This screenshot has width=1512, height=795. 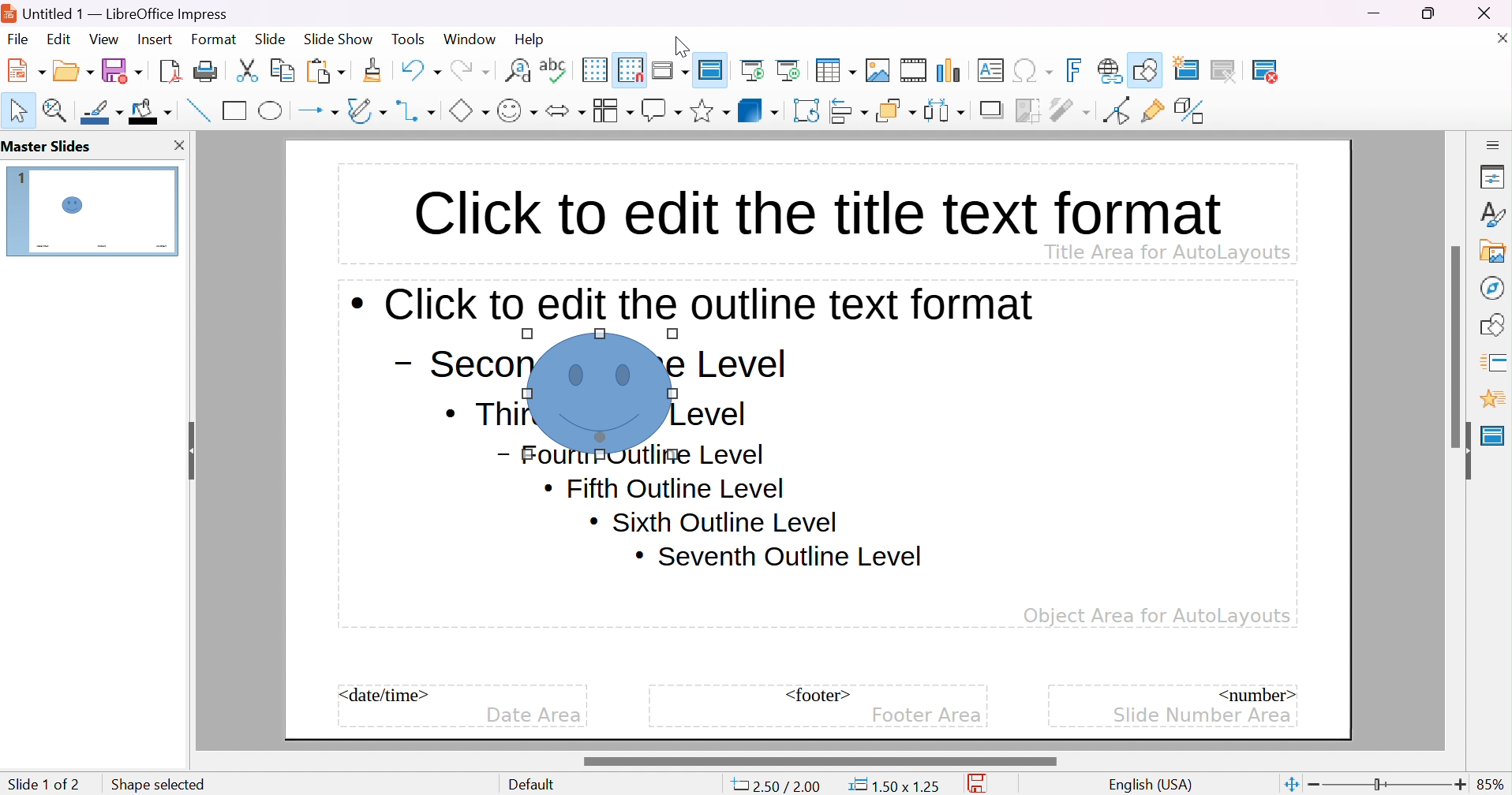 I want to click on rectangle, so click(x=235, y=110).